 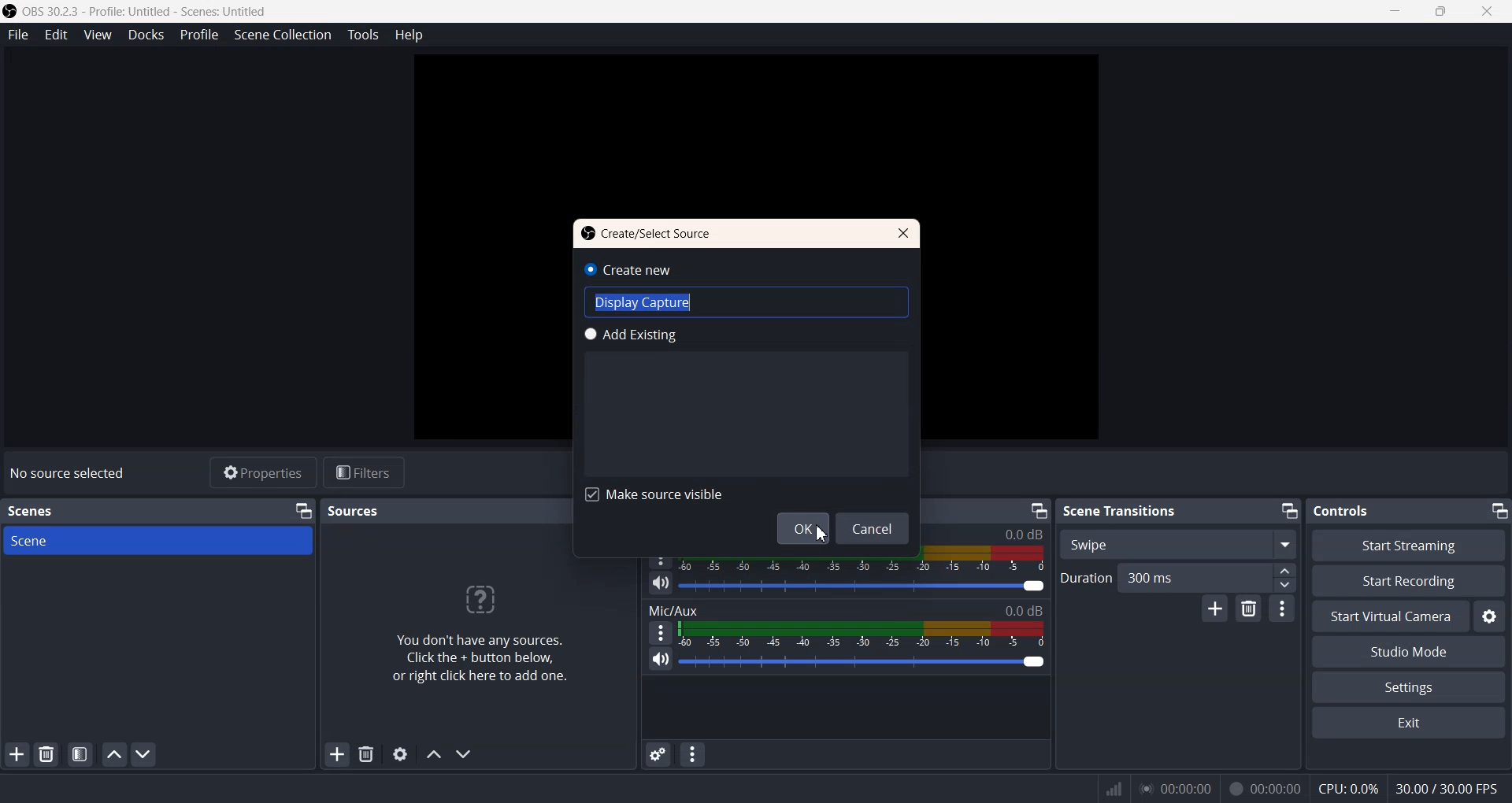 I want to click on Text, so click(x=750, y=302).